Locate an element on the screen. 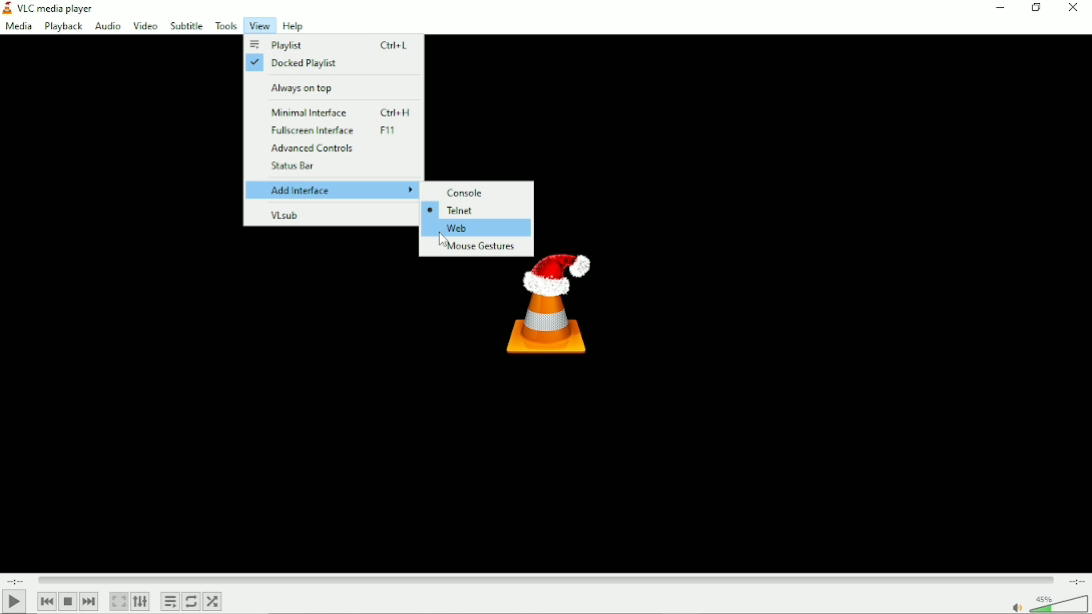  Advanced controls is located at coordinates (314, 148).